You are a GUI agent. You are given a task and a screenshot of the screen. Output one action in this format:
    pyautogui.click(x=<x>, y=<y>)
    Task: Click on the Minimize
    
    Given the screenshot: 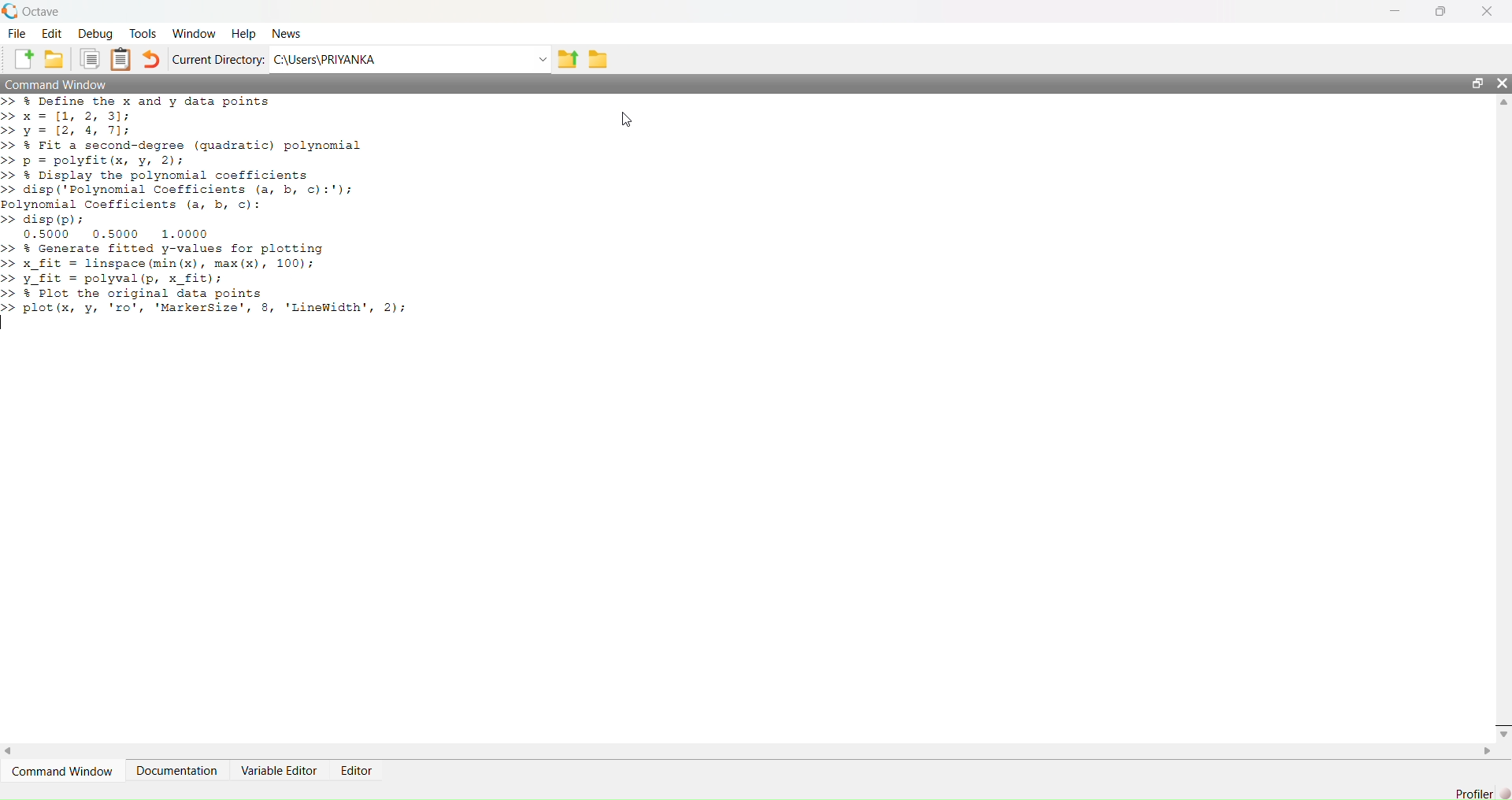 What is the action you would take?
    pyautogui.click(x=1398, y=11)
    